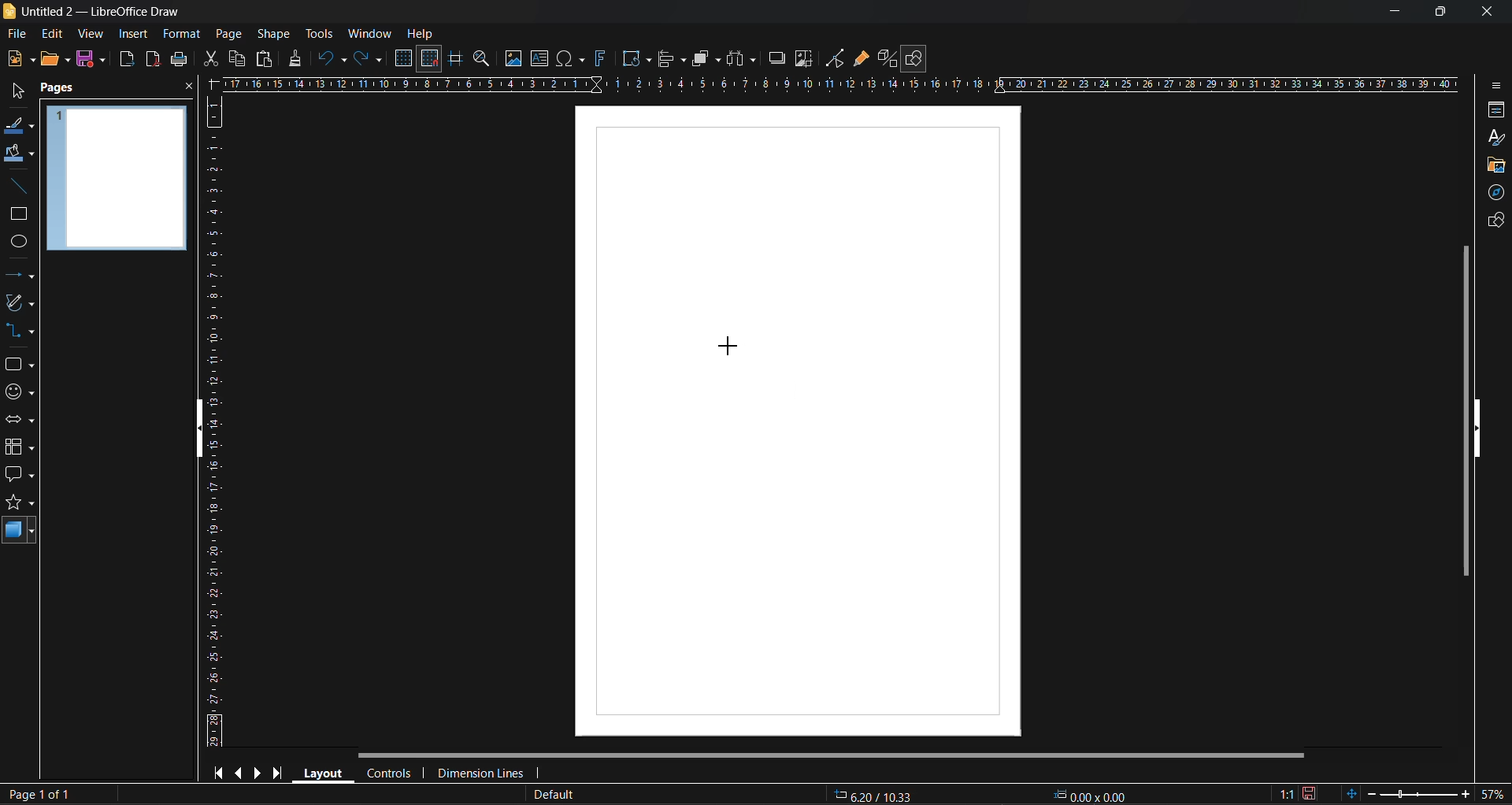  I want to click on tools, so click(319, 33).